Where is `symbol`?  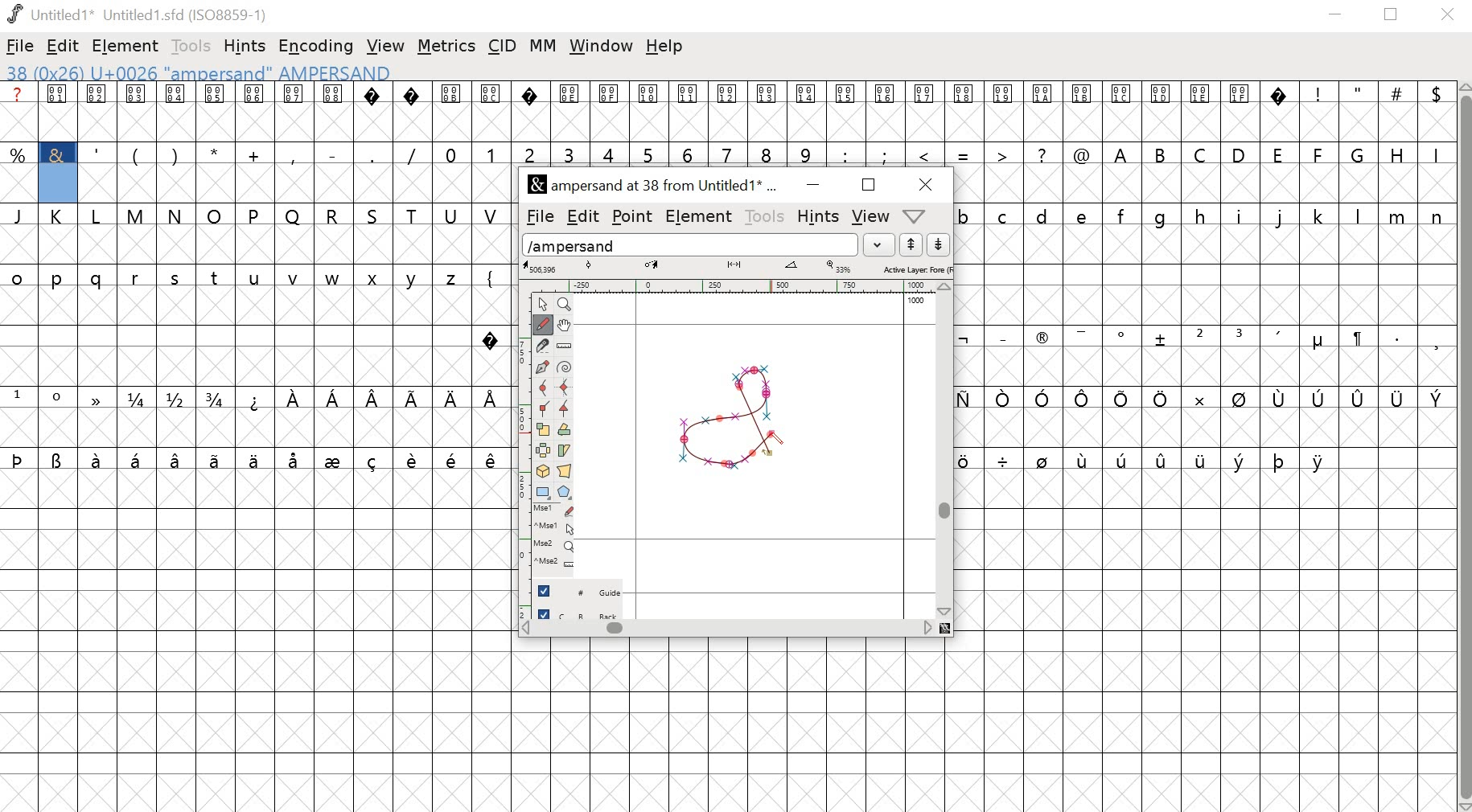
symbol is located at coordinates (492, 397).